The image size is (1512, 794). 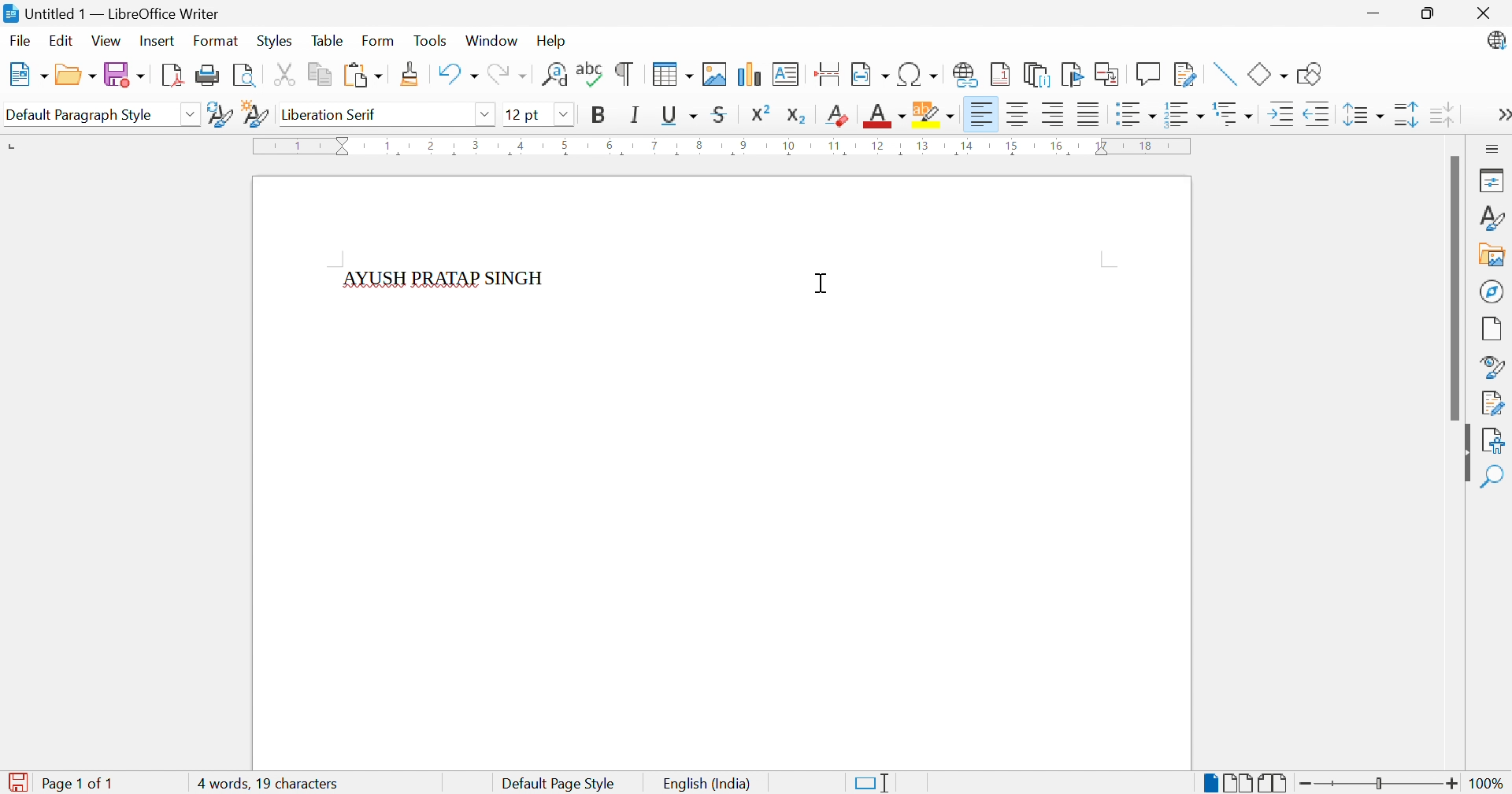 What do you see at coordinates (332, 115) in the screenshot?
I see `Liberation Serif` at bounding box center [332, 115].